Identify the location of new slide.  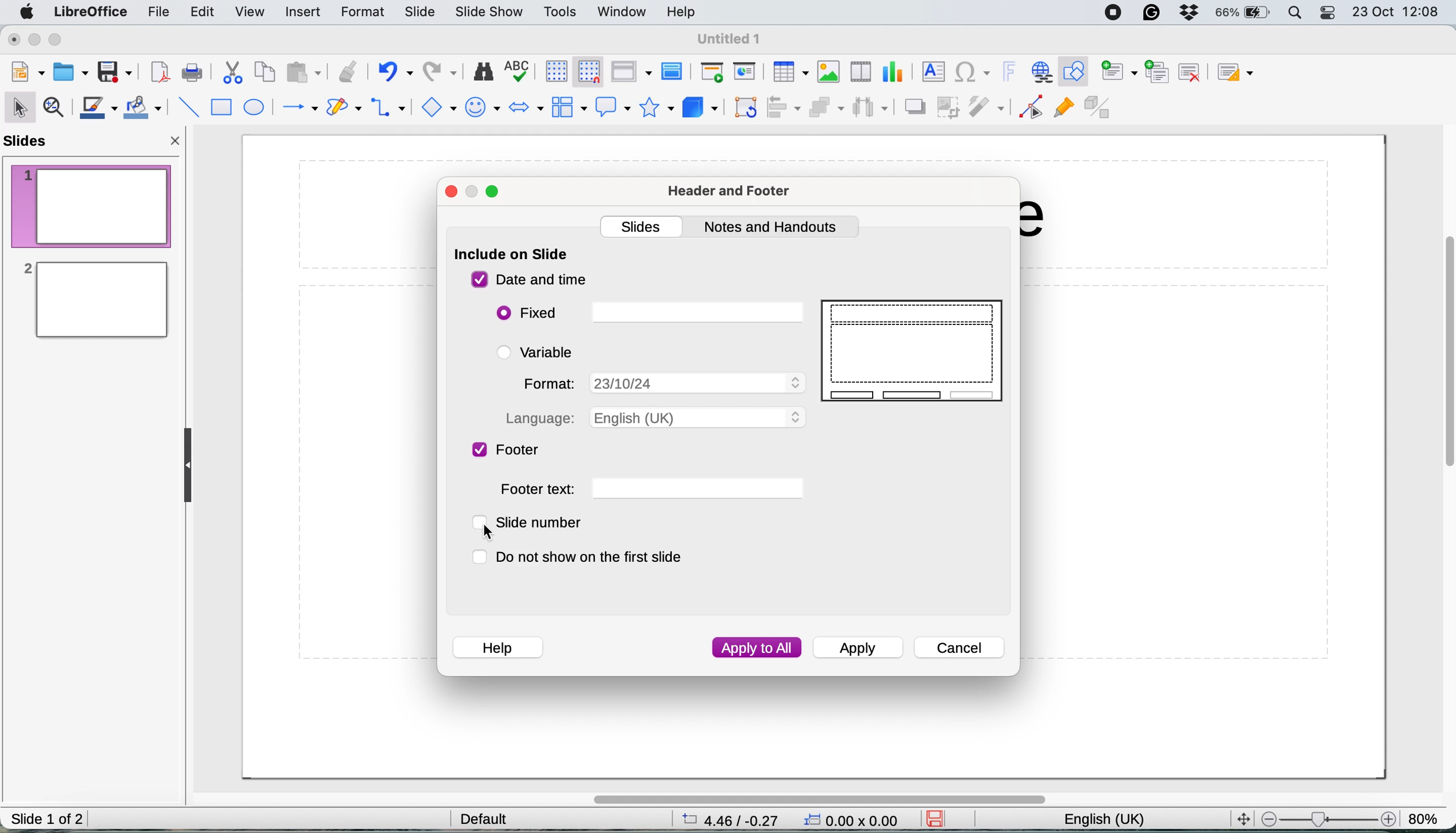
(1119, 73).